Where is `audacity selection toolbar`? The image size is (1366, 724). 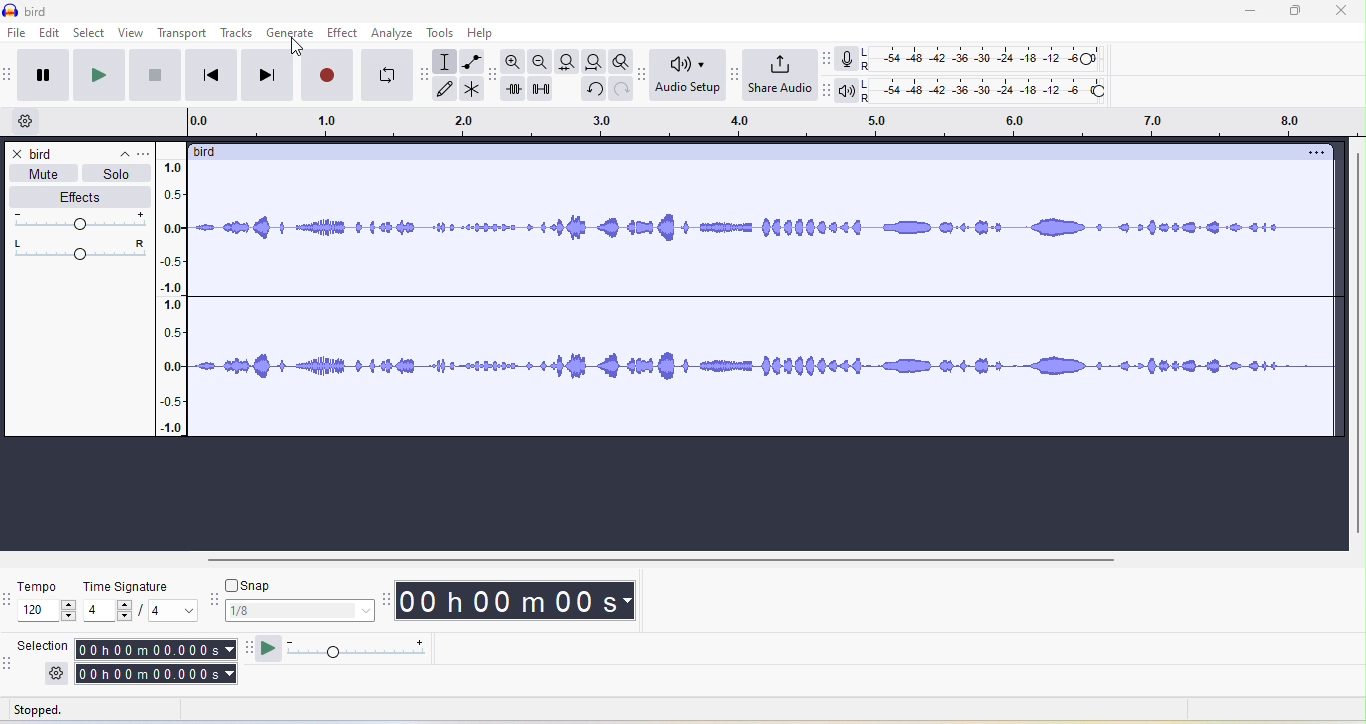
audacity selection toolbar is located at coordinates (9, 664).